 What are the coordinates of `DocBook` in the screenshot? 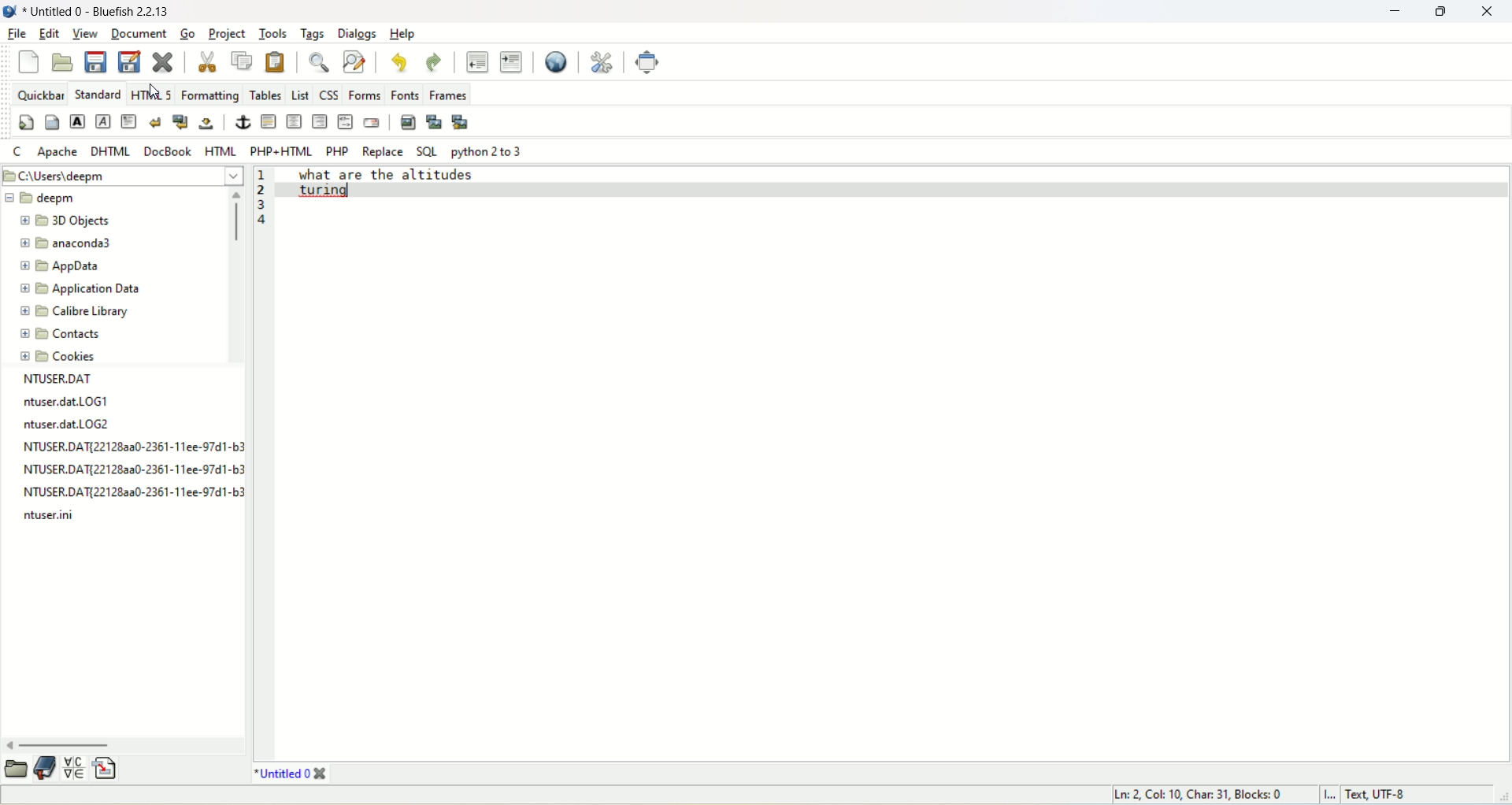 It's located at (168, 153).